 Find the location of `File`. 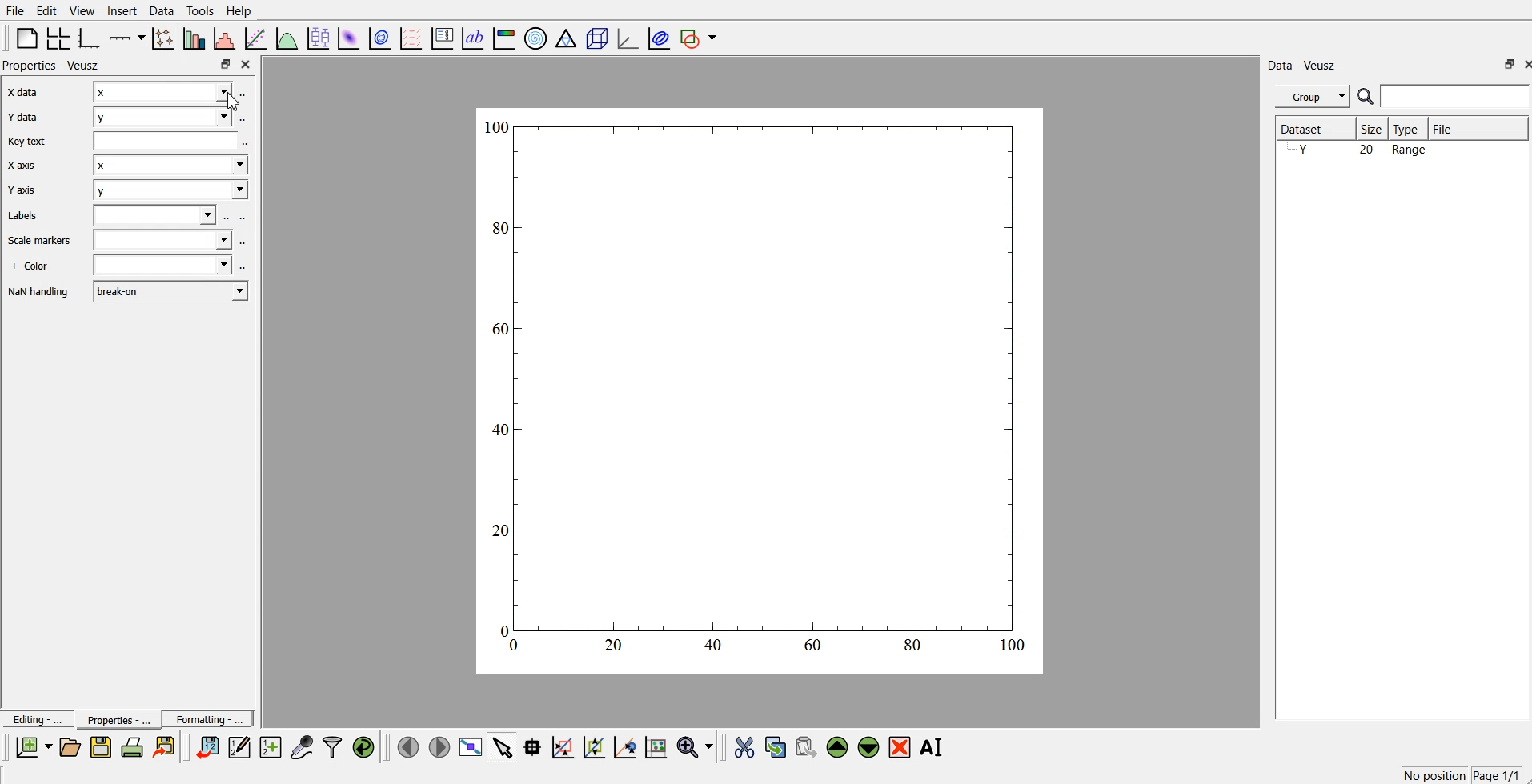

File is located at coordinates (1478, 128).